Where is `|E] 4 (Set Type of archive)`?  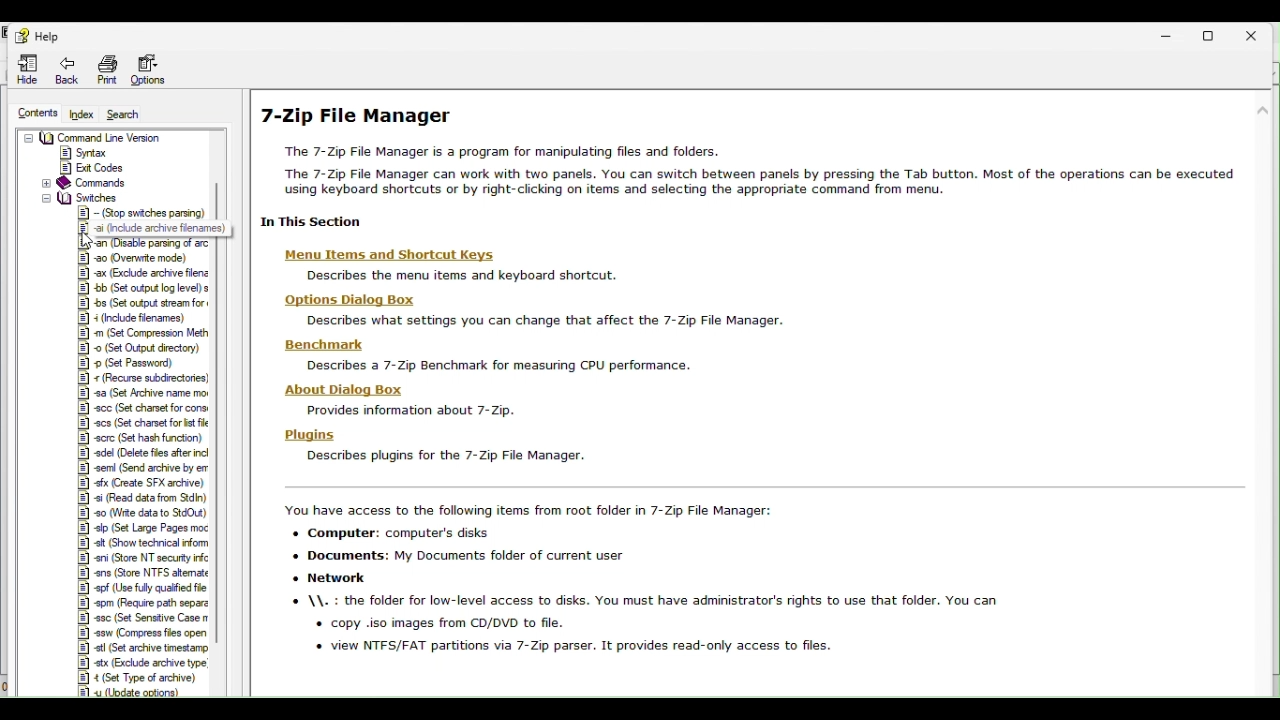 |E] 4 (Set Type of archive) is located at coordinates (138, 678).